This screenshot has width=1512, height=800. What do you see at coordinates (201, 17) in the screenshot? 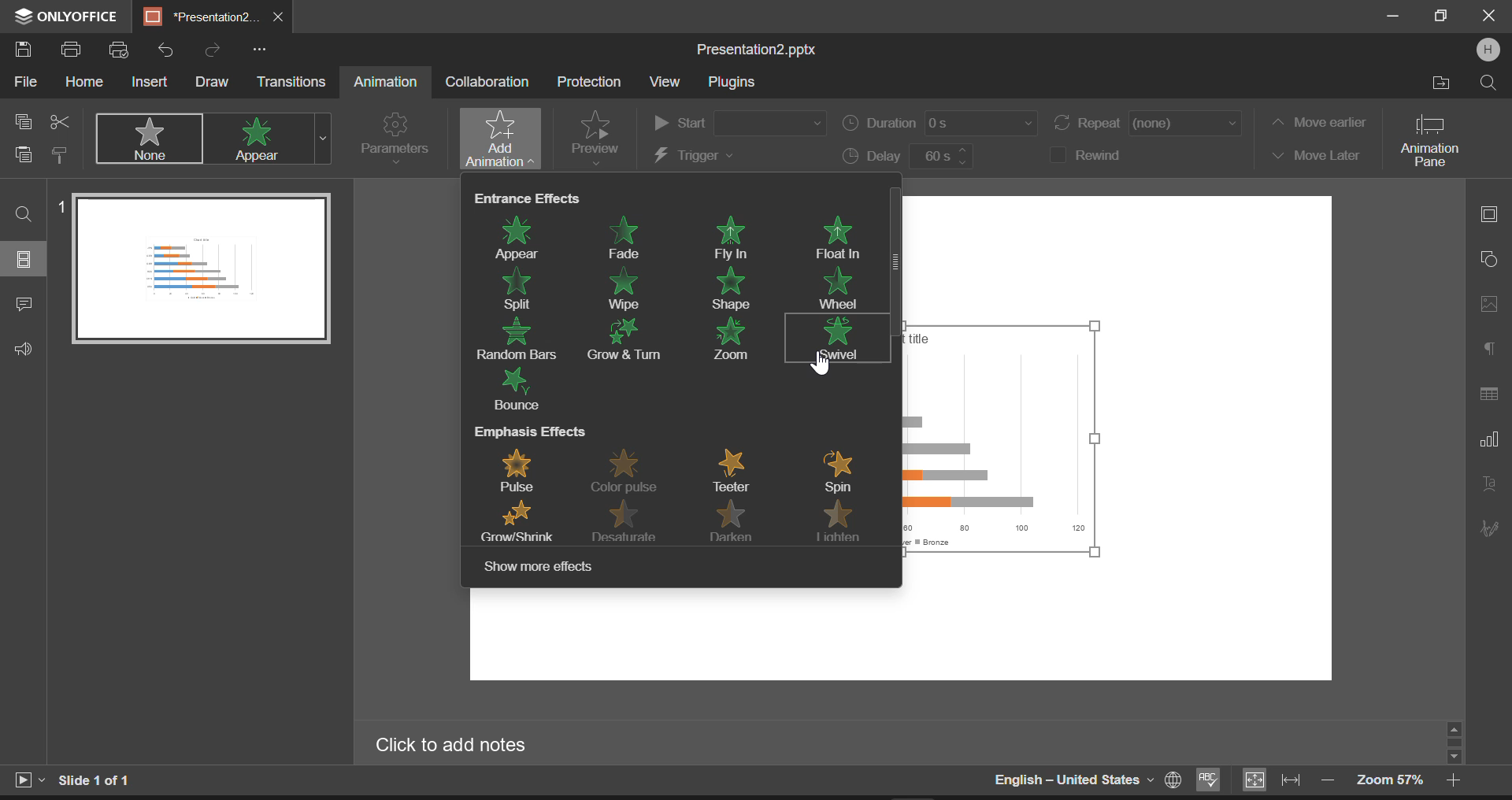
I see `*Presentation2.pptx` at bounding box center [201, 17].